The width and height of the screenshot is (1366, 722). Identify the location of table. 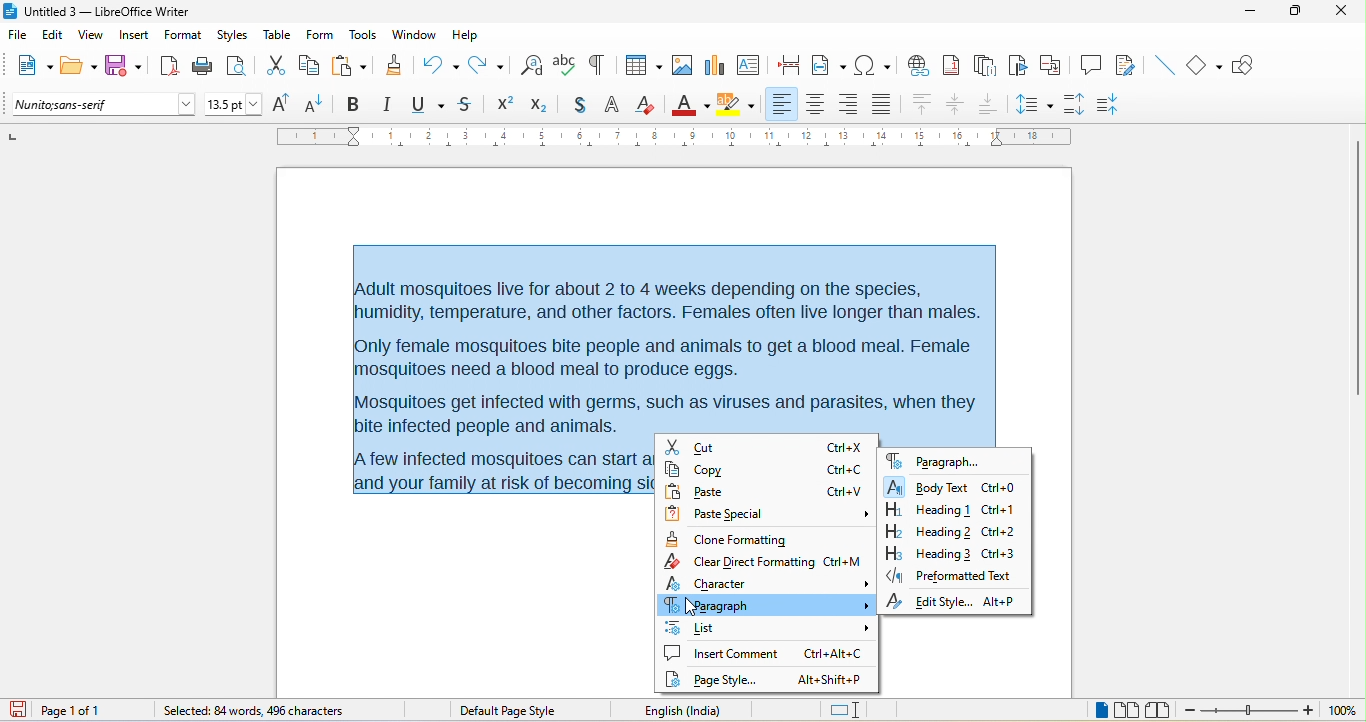
(278, 34).